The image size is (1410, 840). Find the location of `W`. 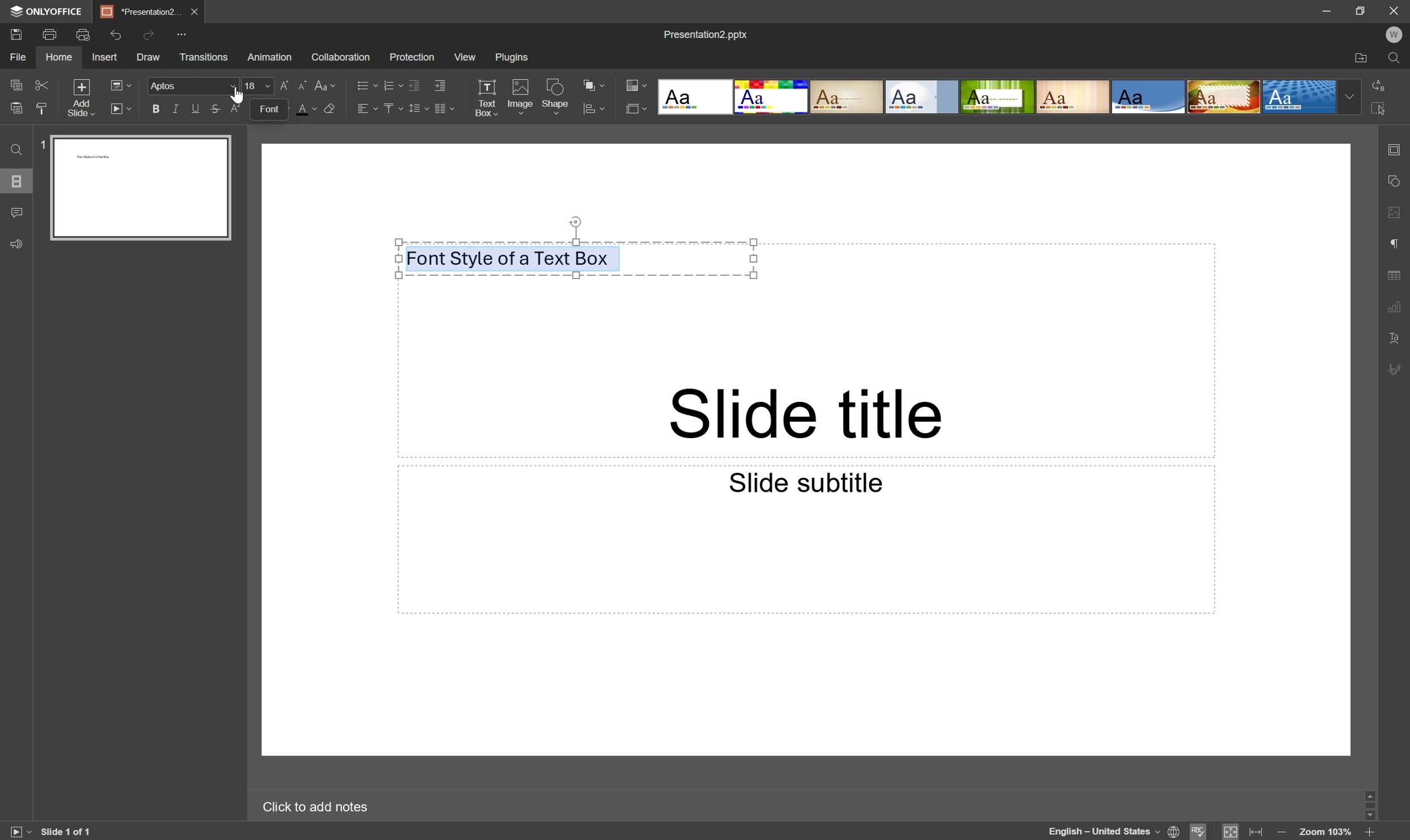

W is located at coordinates (1396, 34).